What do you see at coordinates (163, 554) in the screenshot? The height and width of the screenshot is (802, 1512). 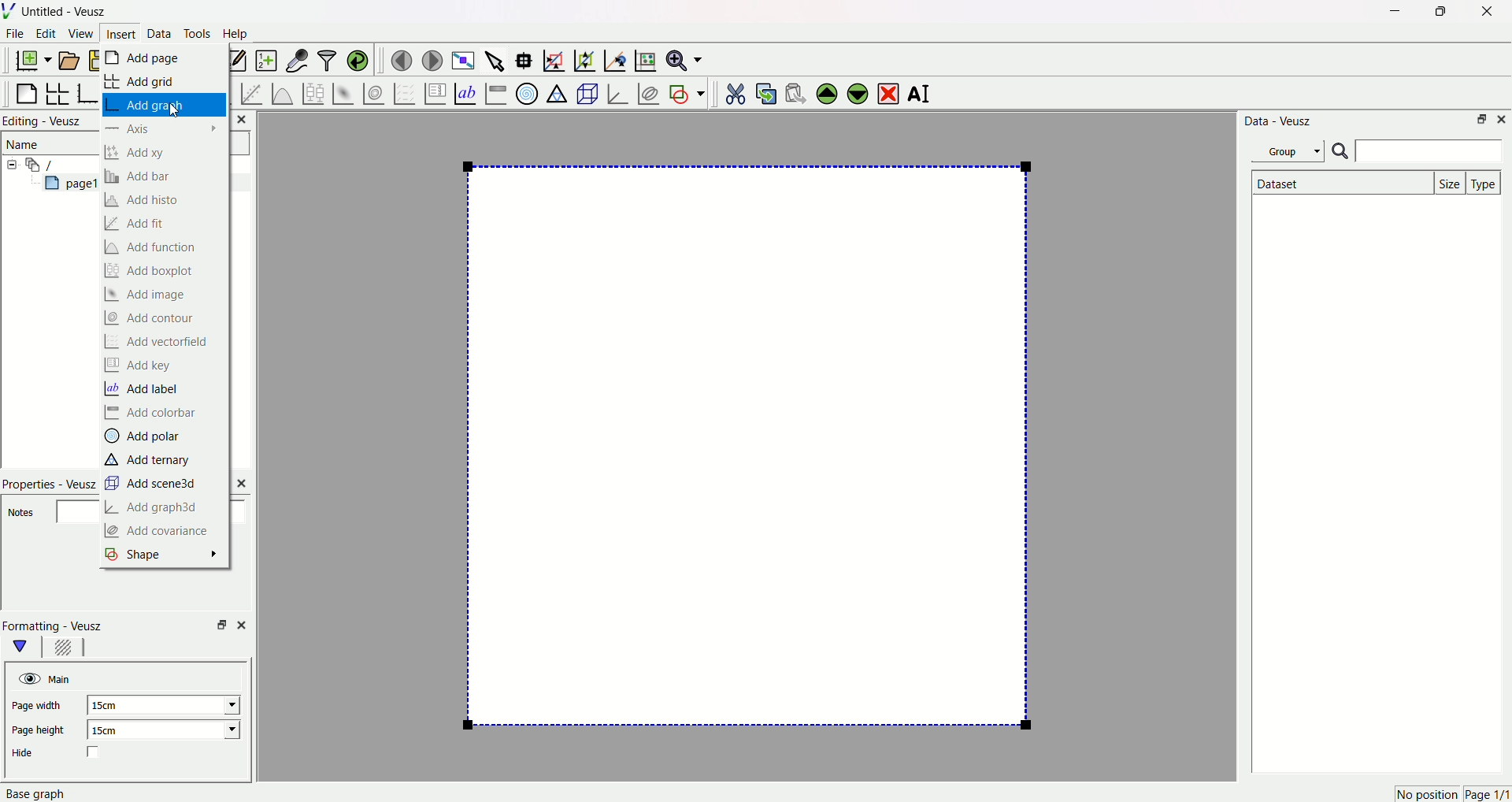 I see `Shape` at bounding box center [163, 554].